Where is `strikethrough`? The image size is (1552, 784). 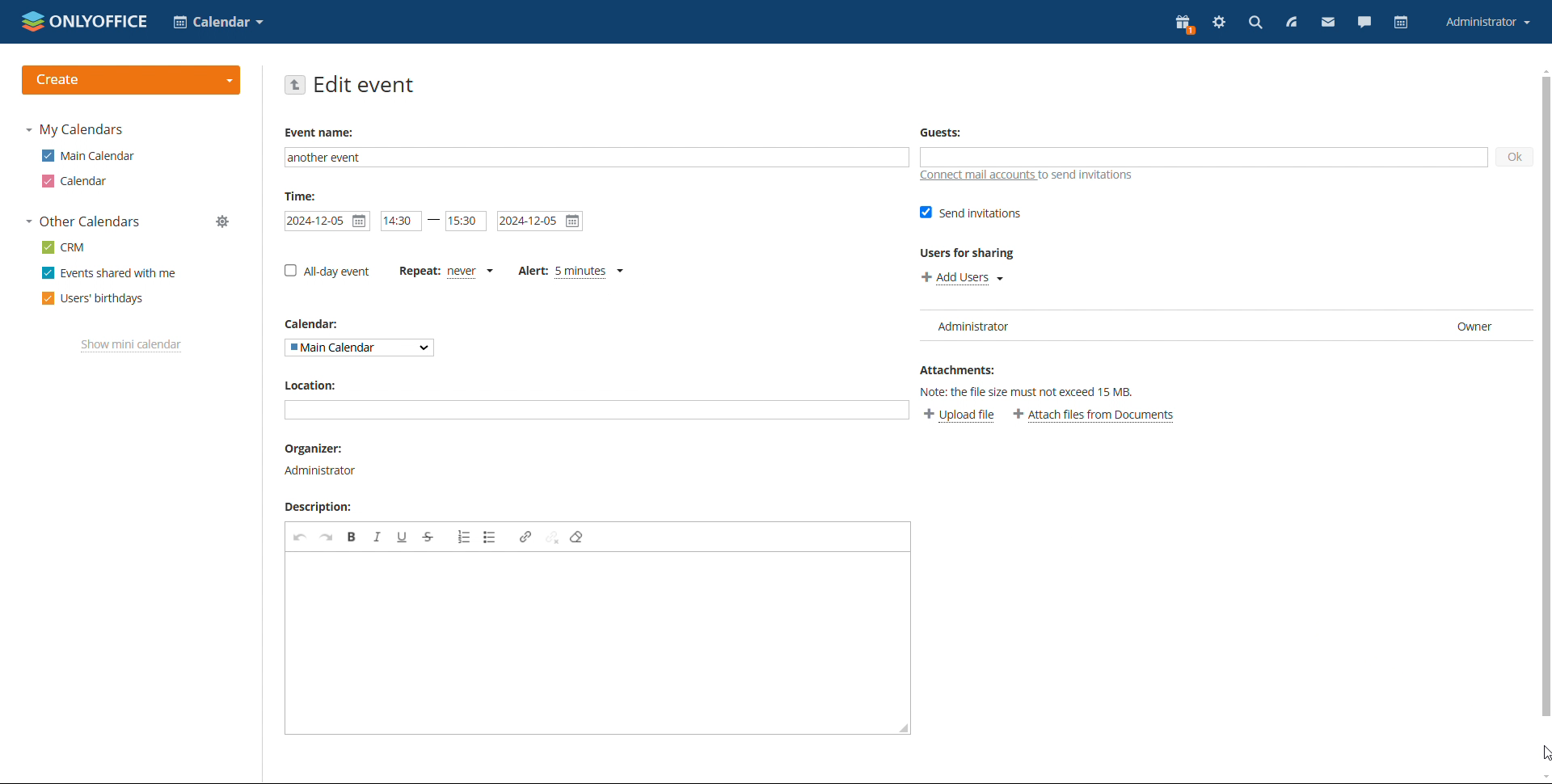 strikethrough is located at coordinates (428, 537).